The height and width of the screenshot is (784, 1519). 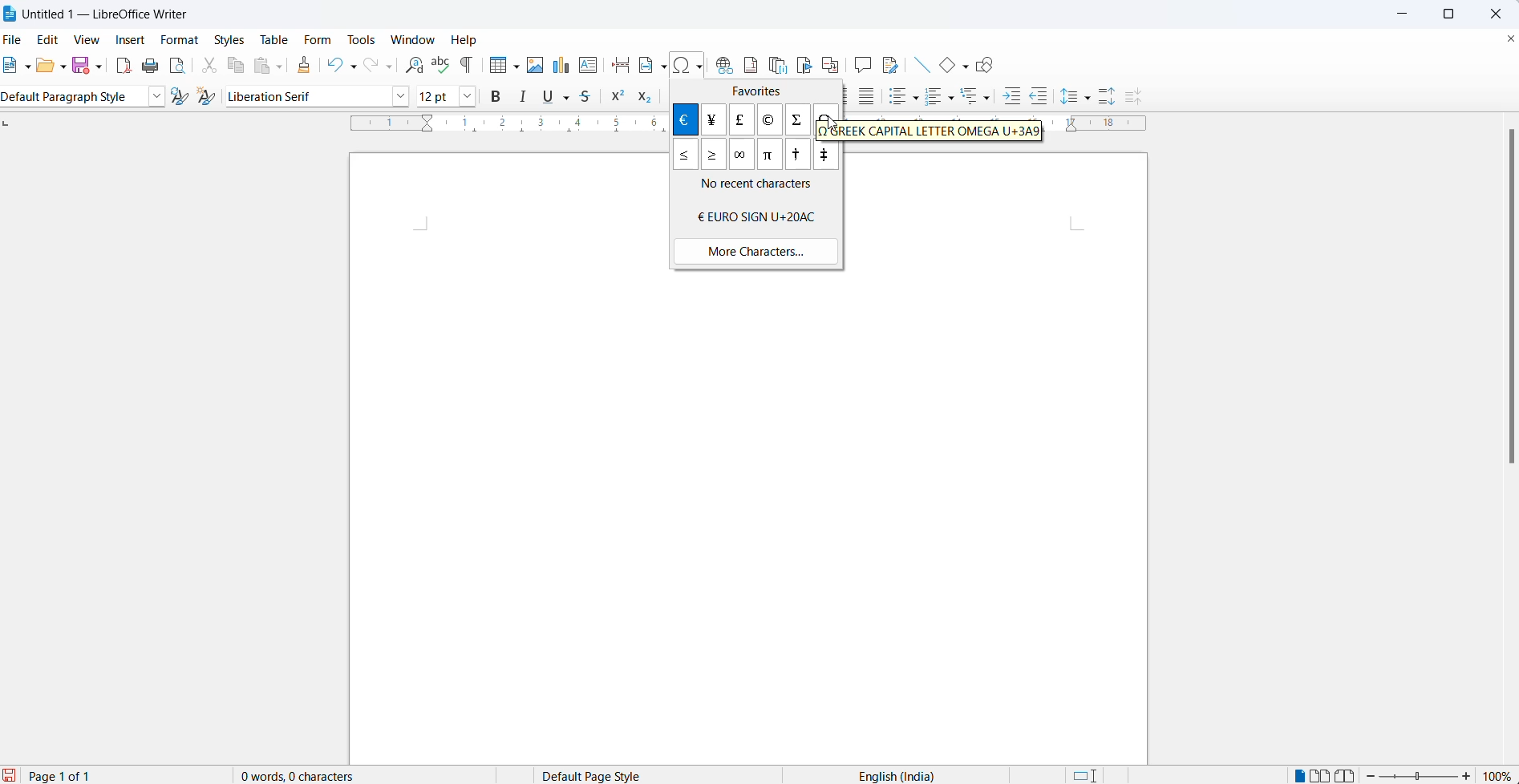 I want to click on print preview, so click(x=178, y=68).